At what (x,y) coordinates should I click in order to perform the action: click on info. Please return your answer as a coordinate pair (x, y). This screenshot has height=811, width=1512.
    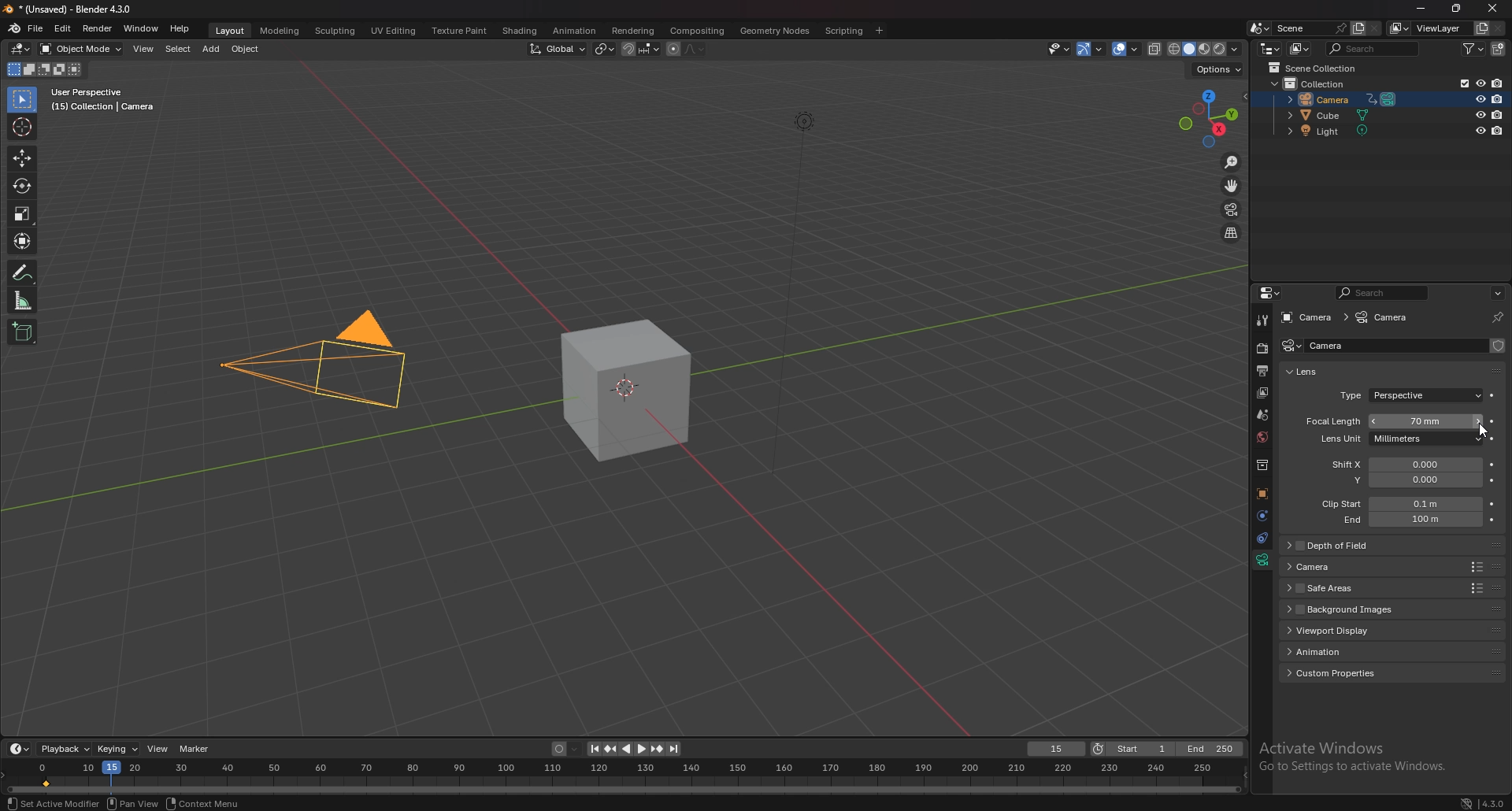
    Looking at the image, I should click on (103, 100).